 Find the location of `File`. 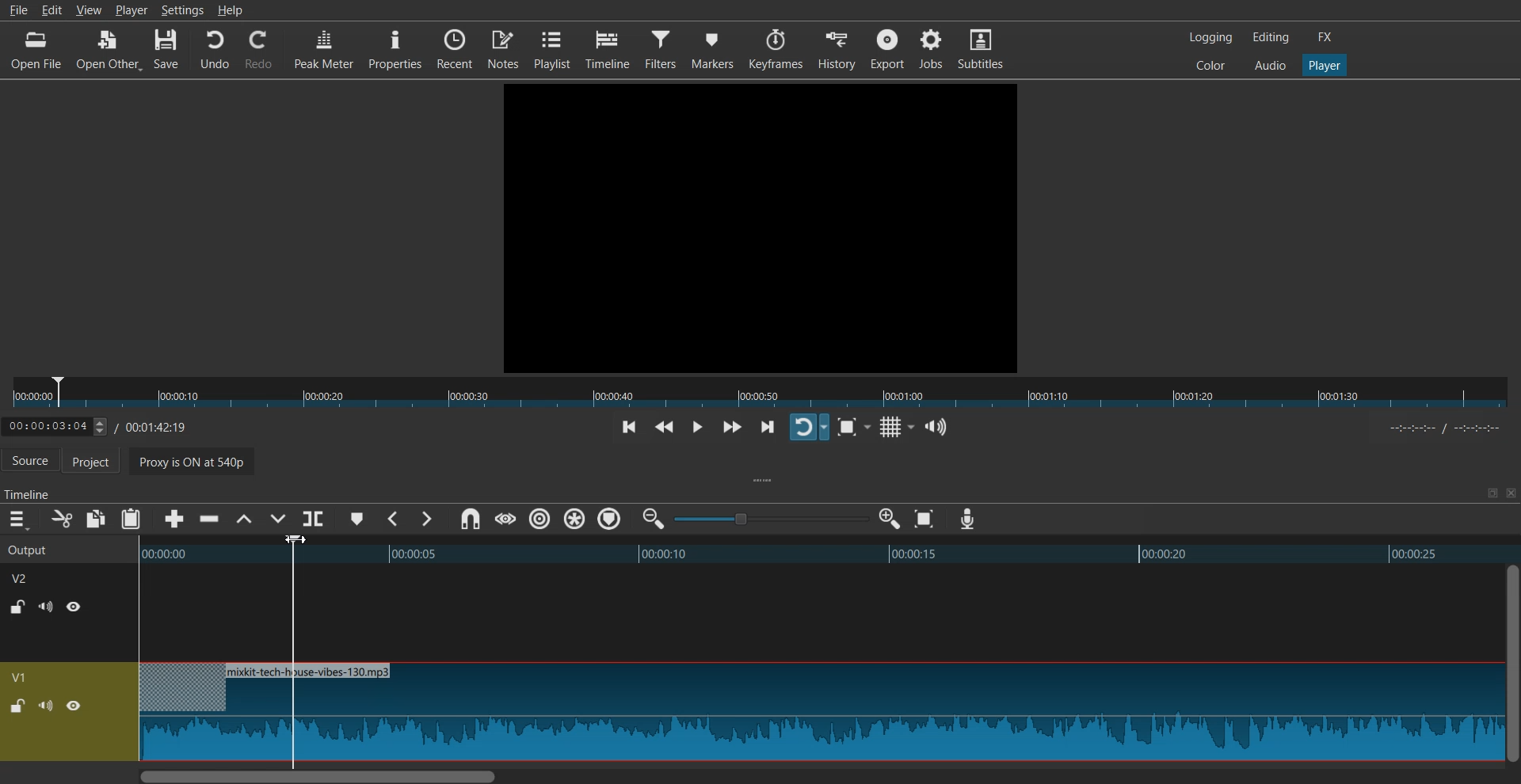

File is located at coordinates (17, 10).